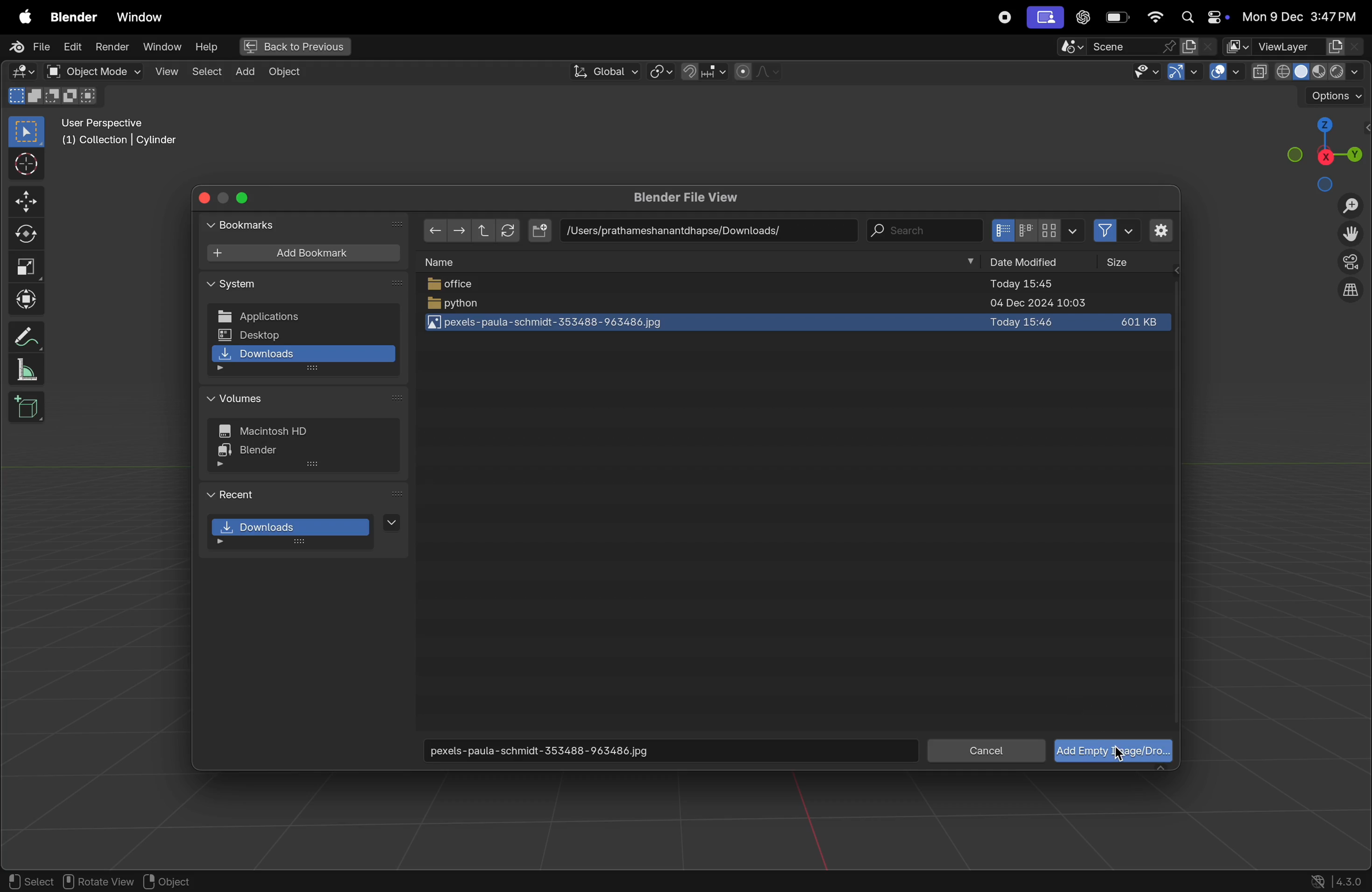 The height and width of the screenshot is (892, 1372). What do you see at coordinates (1113, 232) in the screenshot?
I see `filters` at bounding box center [1113, 232].